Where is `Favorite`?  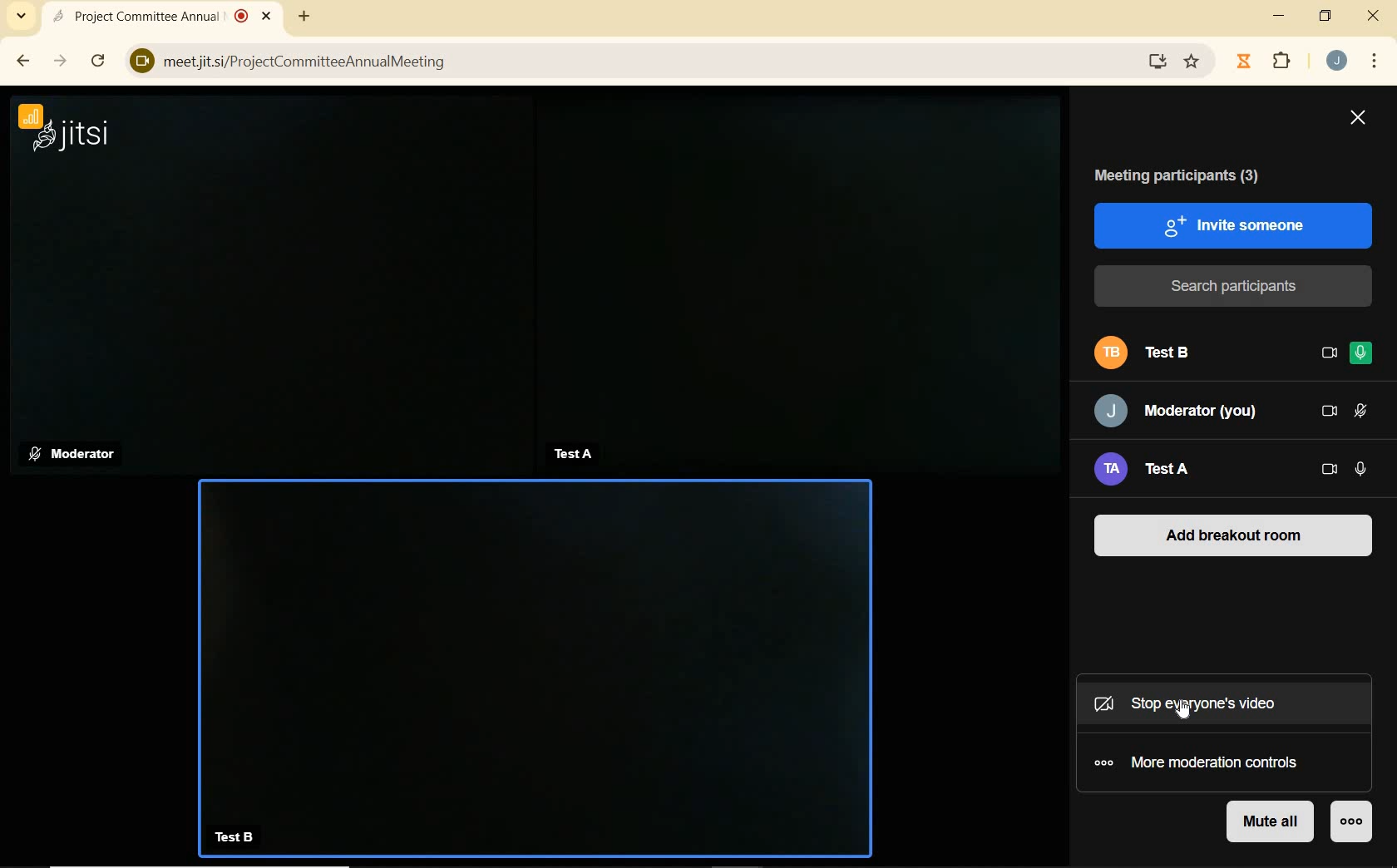 Favorite is located at coordinates (1193, 59).